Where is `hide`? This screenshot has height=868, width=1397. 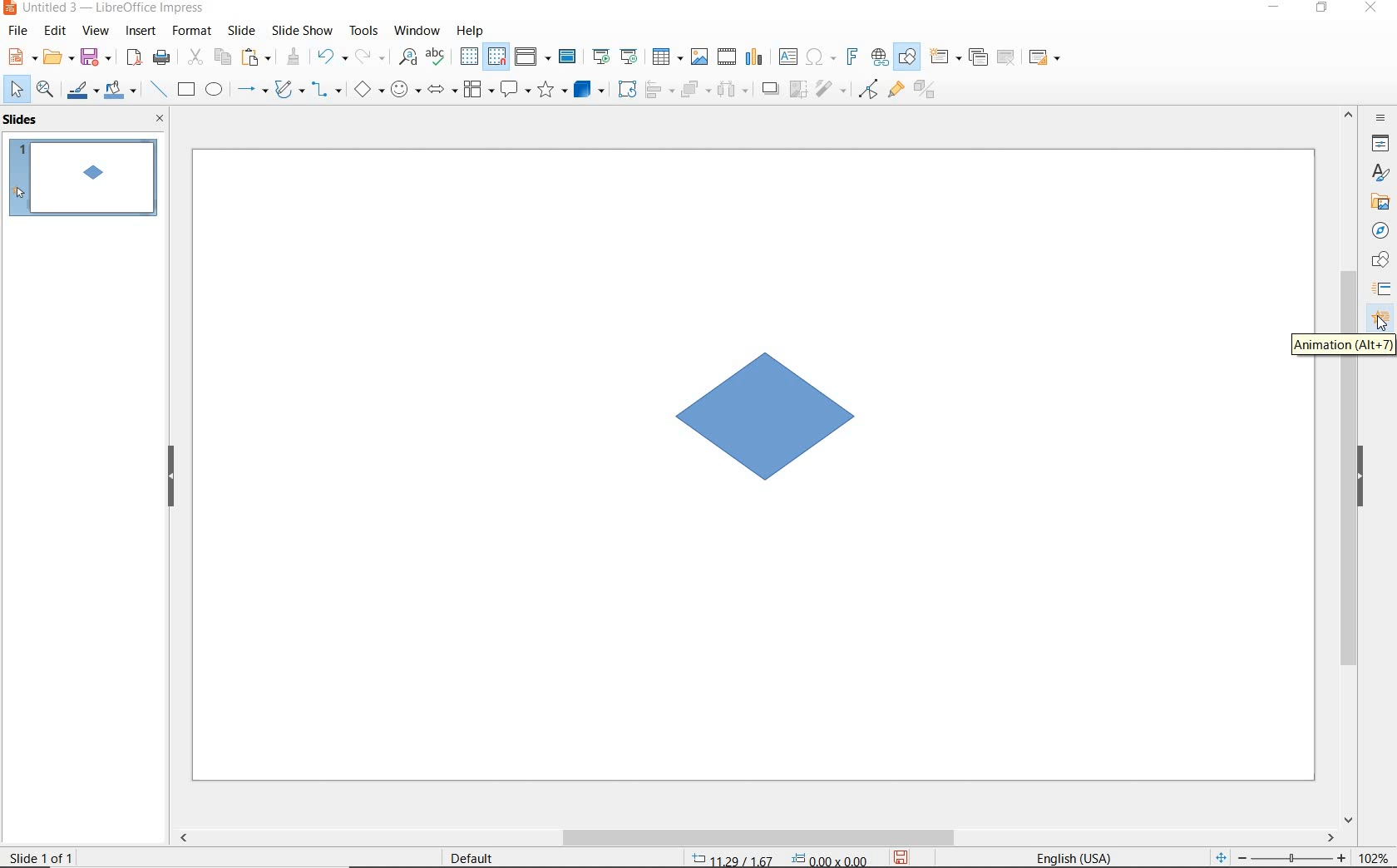 hide is located at coordinates (170, 478).